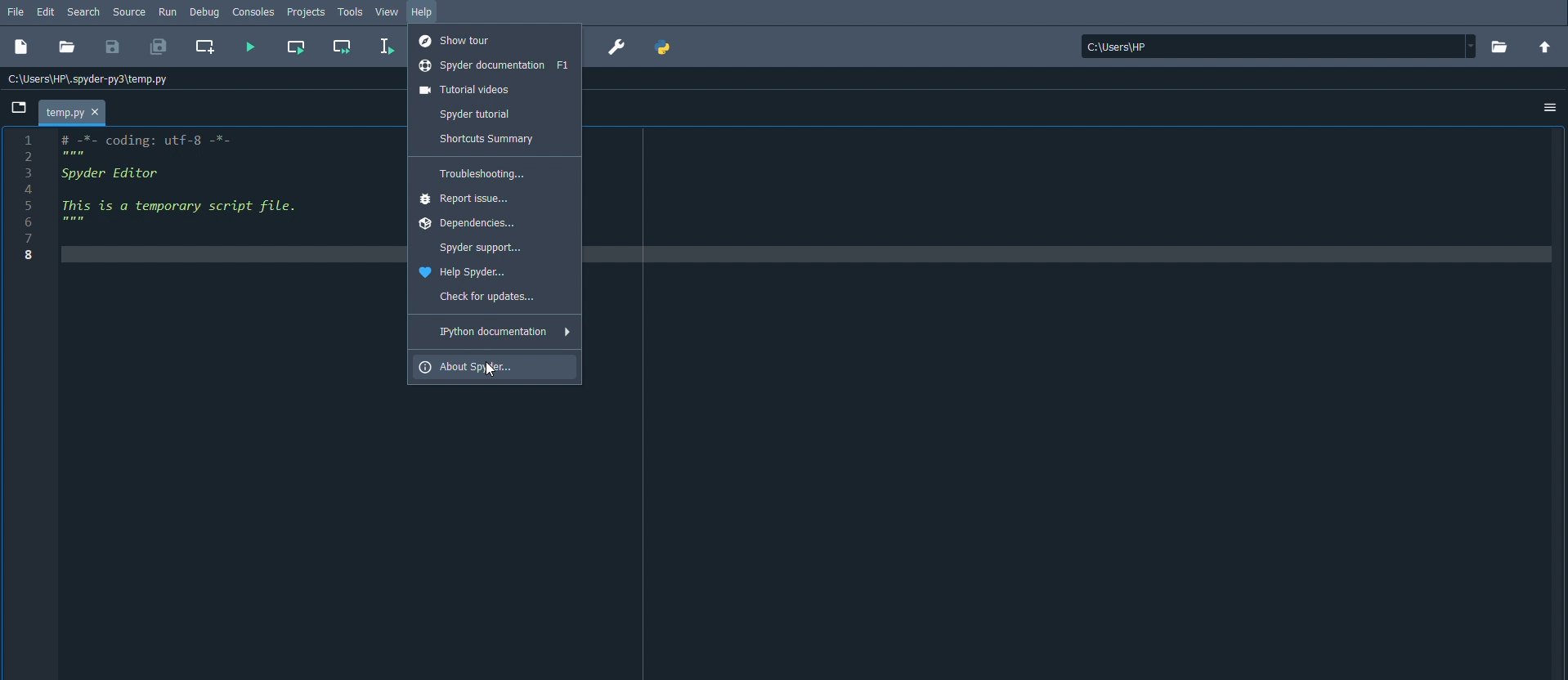 The image size is (1568, 680). What do you see at coordinates (1275, 47) in the screenshot?
I see `| Ci\Users\HP |` at bounding box center [1275, 47].